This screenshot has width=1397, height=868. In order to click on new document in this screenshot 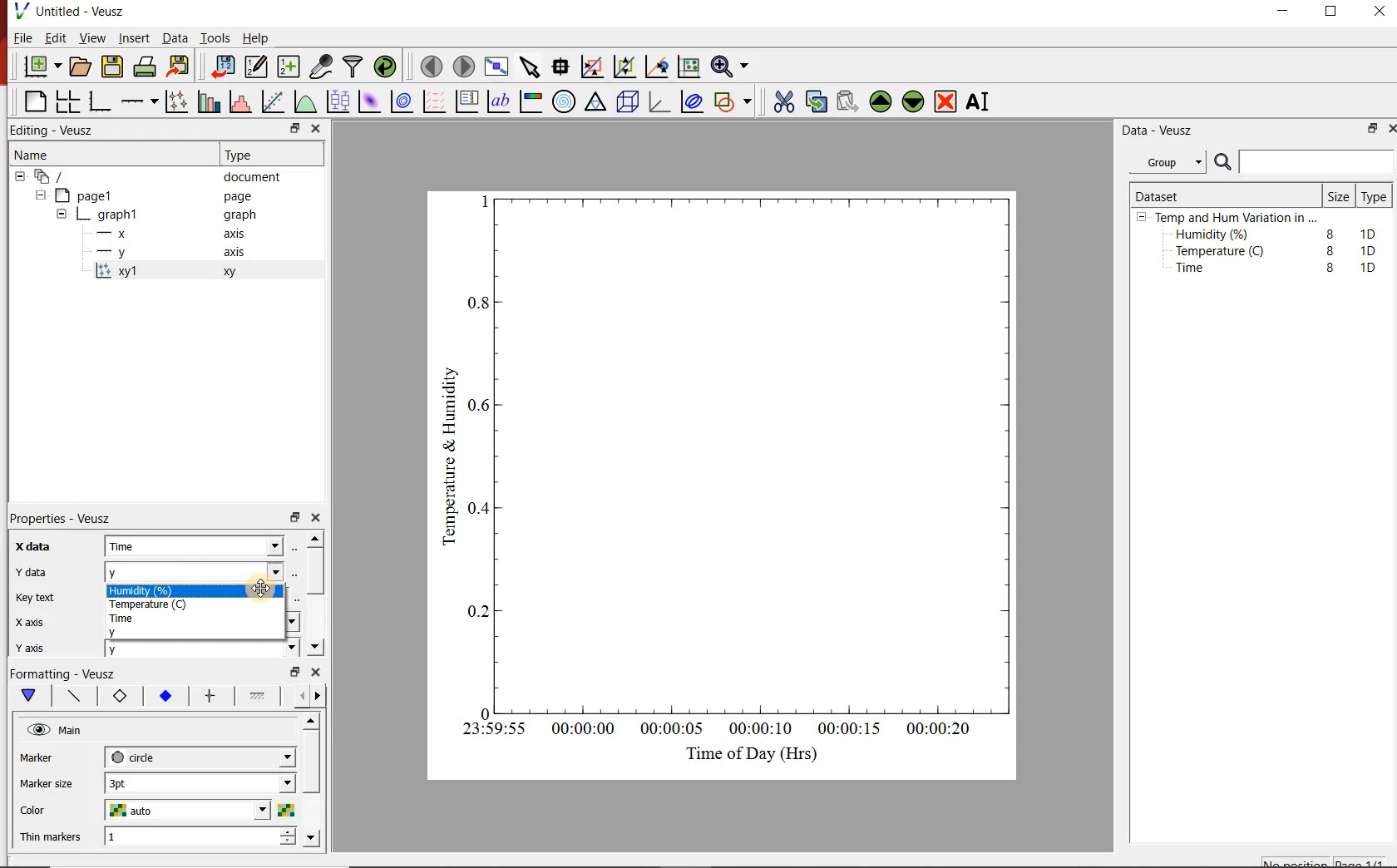, I will do `click(41, 67)`.